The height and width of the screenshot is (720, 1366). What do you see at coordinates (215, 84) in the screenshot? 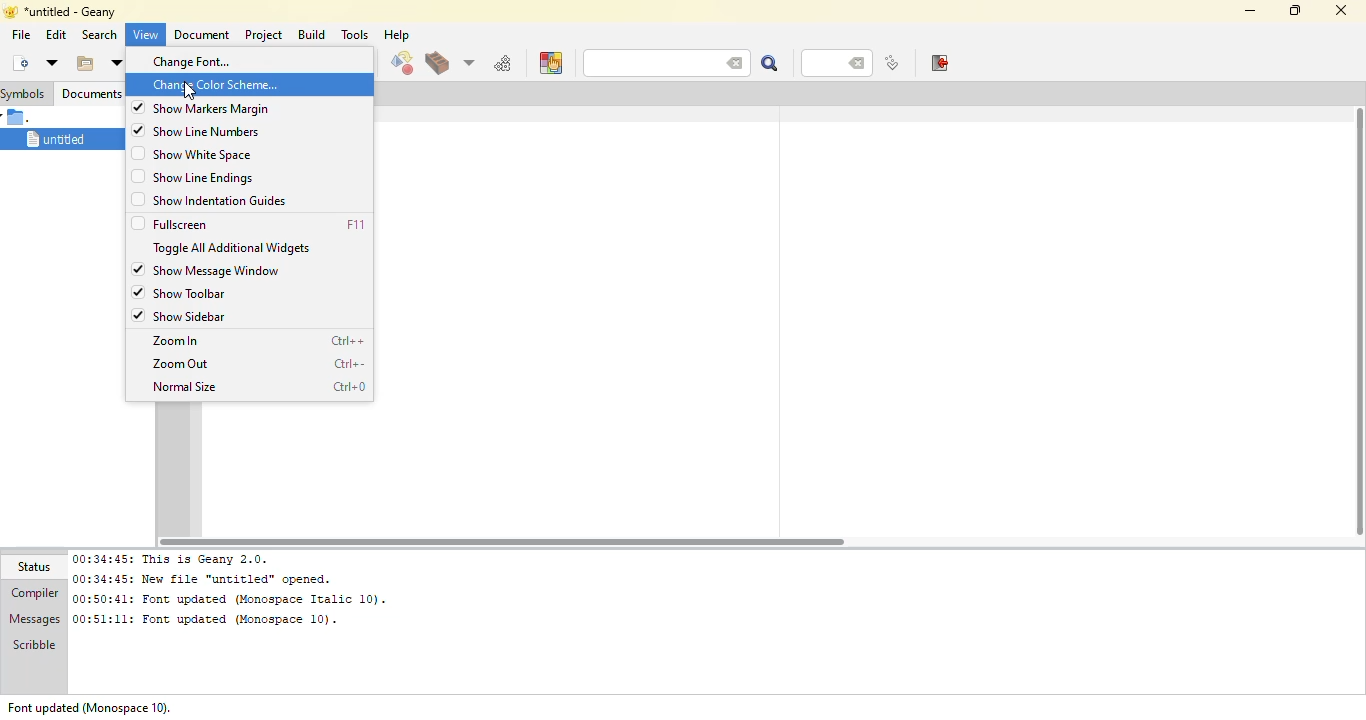
I see `change color scheme` at bounding box center [215, 84].